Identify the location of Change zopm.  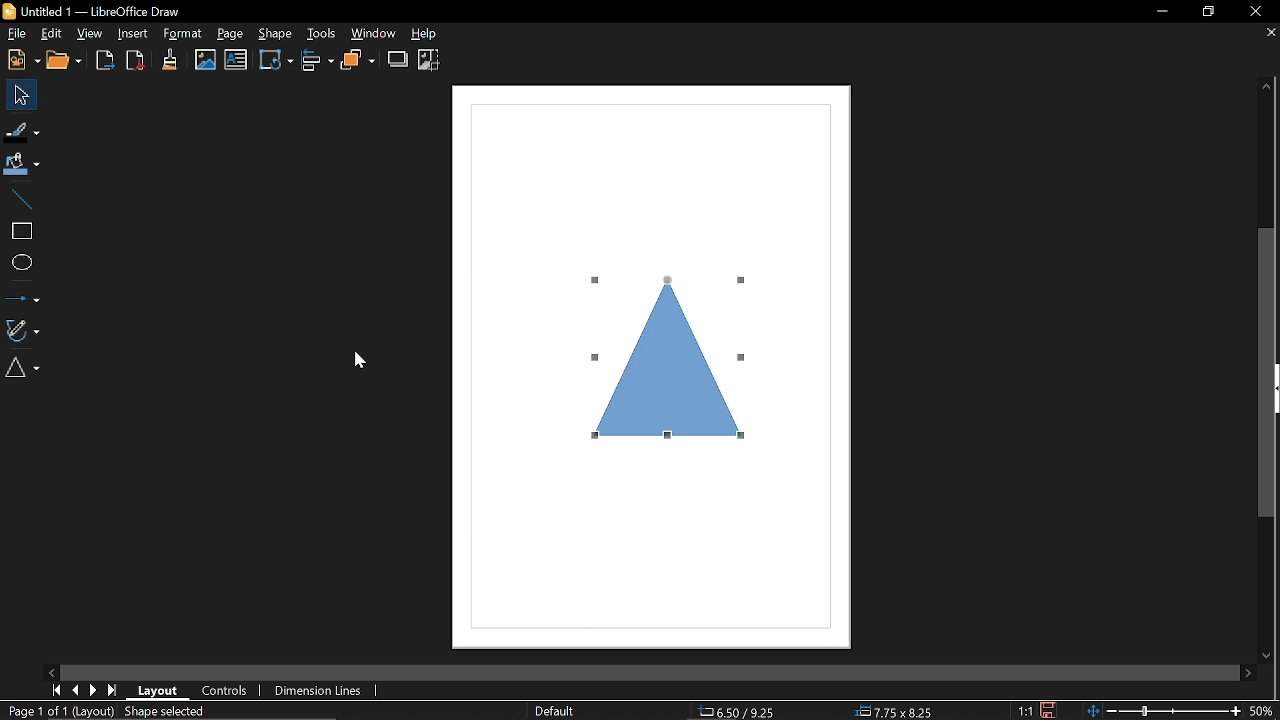
(1163, 712).